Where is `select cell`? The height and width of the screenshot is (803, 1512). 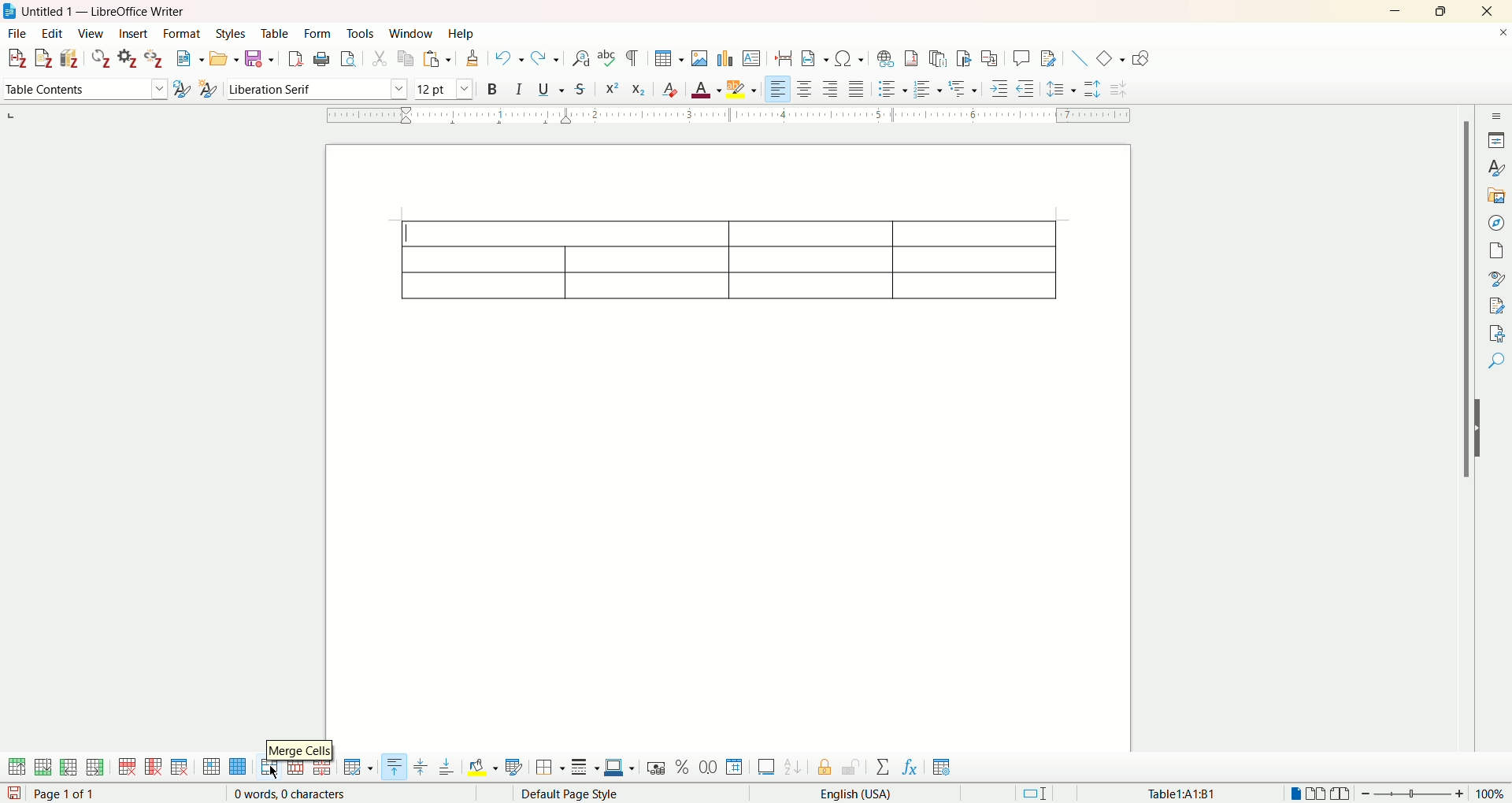
select cell is located at coordinates (209, 768).